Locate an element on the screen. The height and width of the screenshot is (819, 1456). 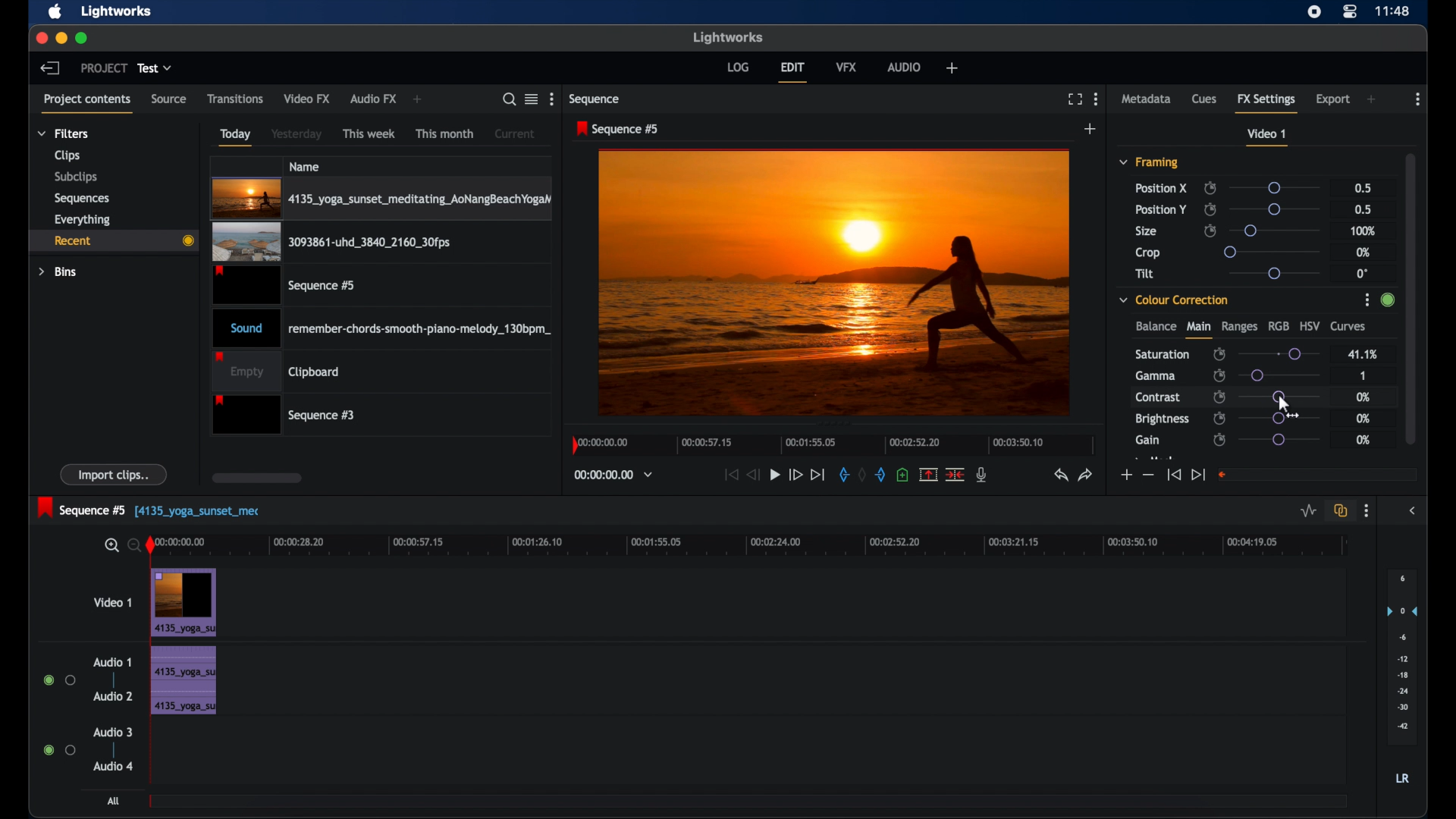
bins is located at coordinates (58, 271).